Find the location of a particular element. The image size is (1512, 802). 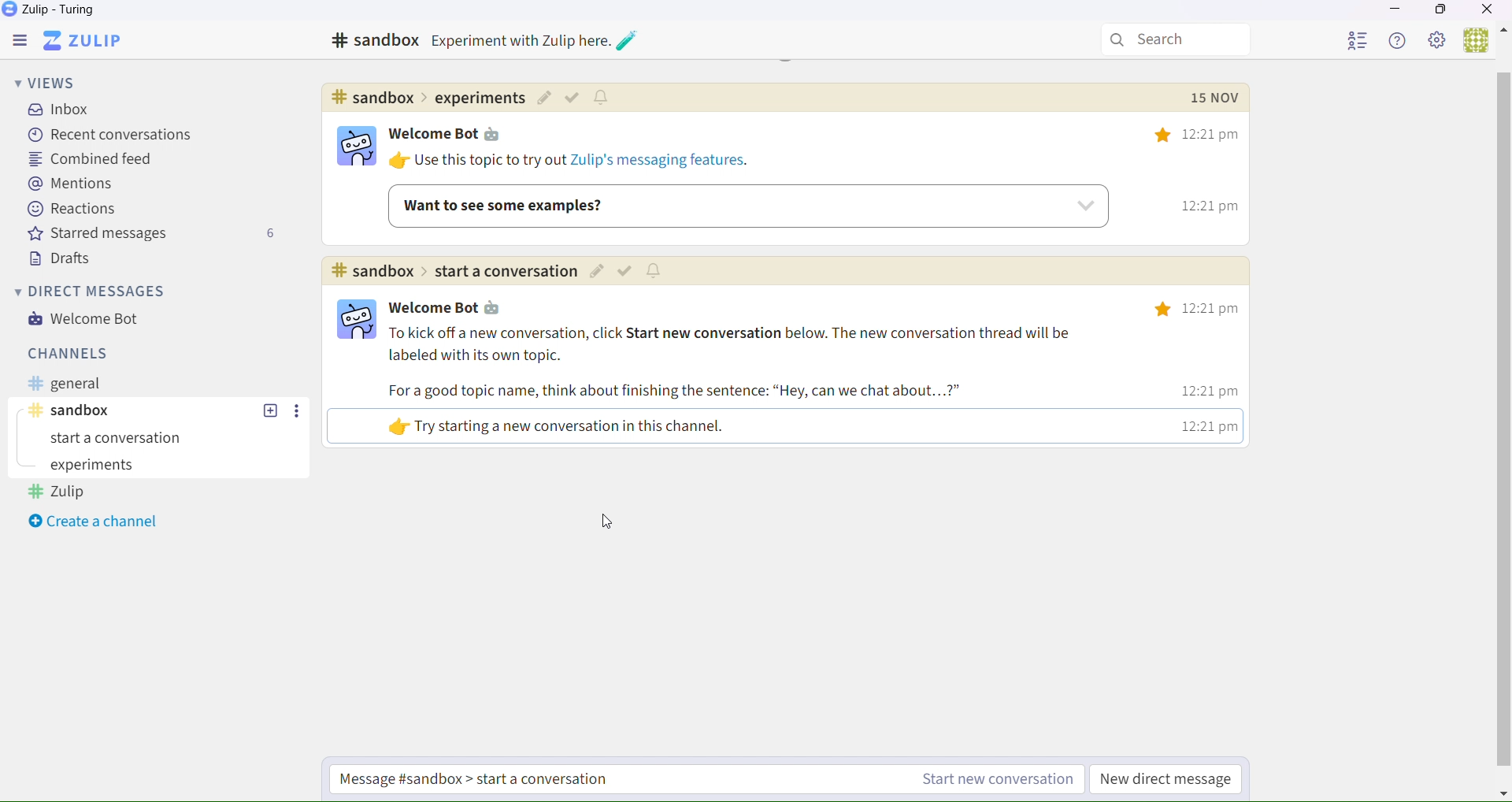

Want to see some example is located at coordinates (746, 205).